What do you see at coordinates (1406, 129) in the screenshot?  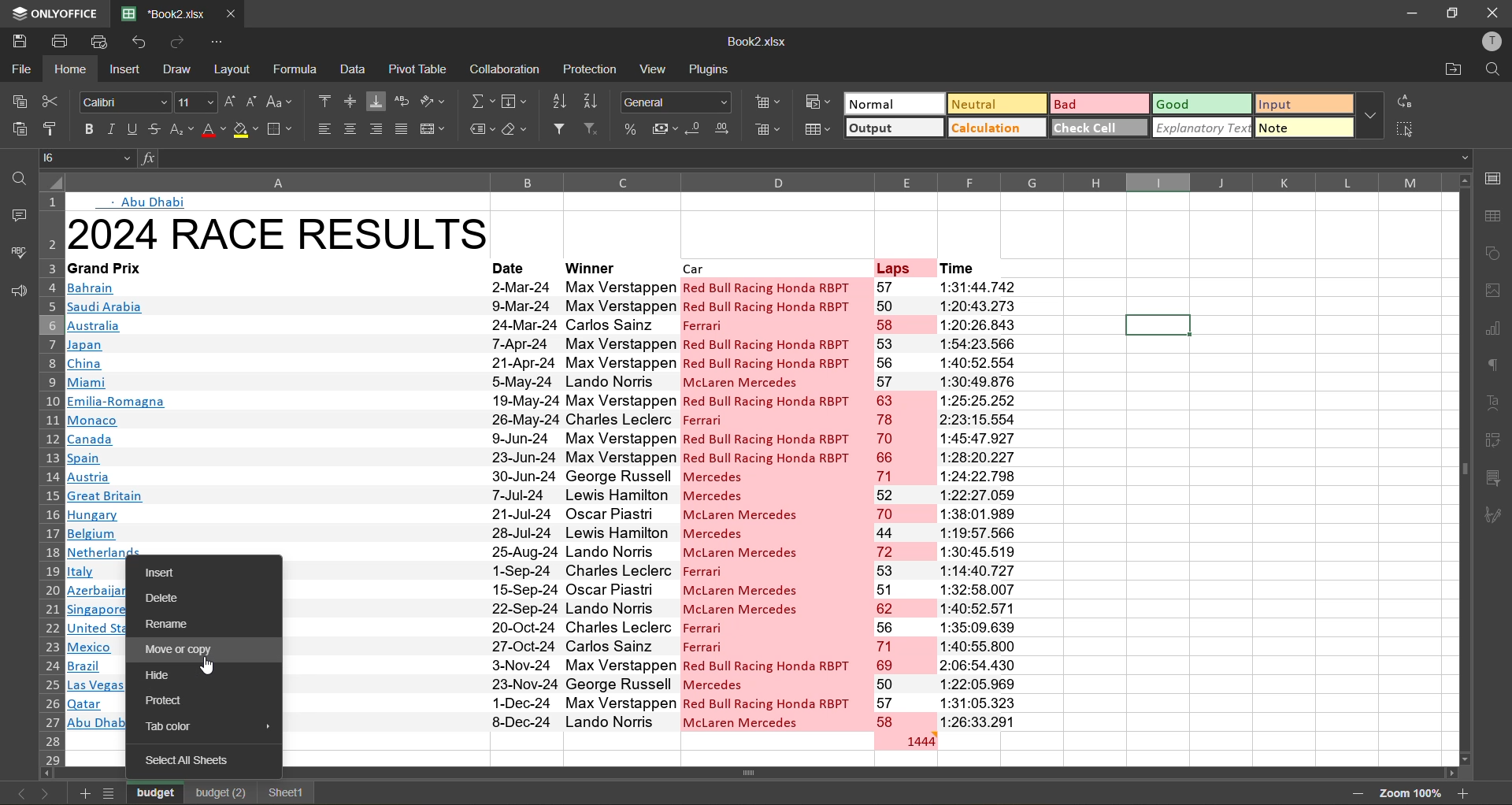 I see `select all` at bounding box center [1406, 129].